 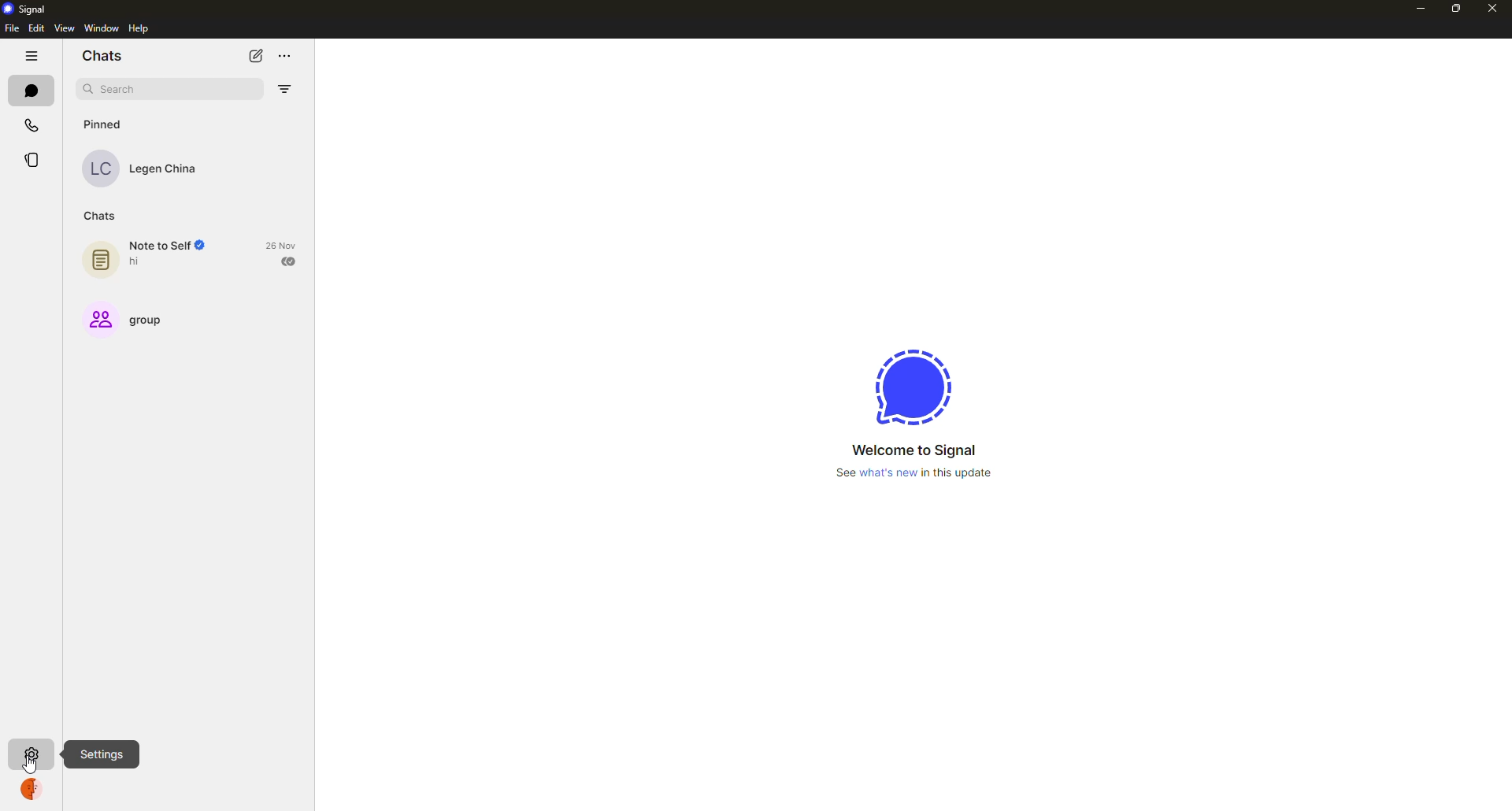 I want to click on cursor, so click(x=33, y=766).